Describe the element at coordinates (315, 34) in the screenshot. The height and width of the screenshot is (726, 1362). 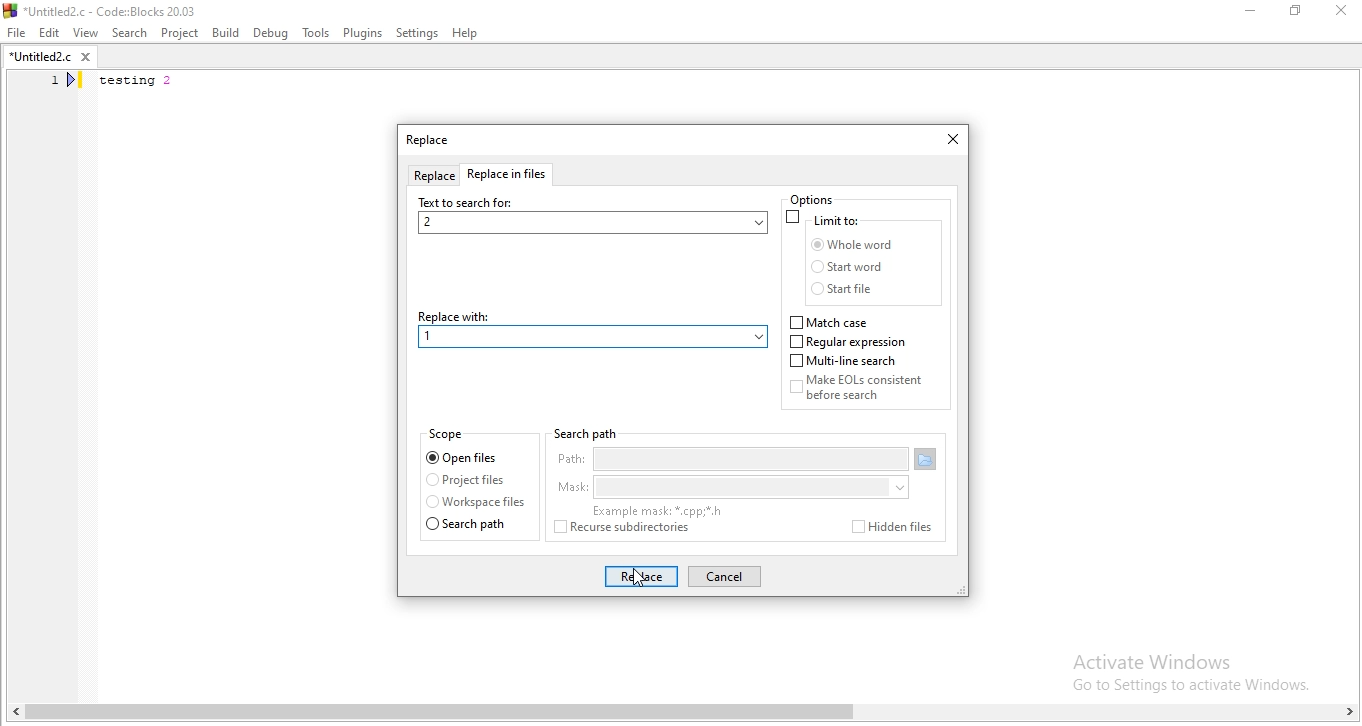
I see `Tools ` at that location.